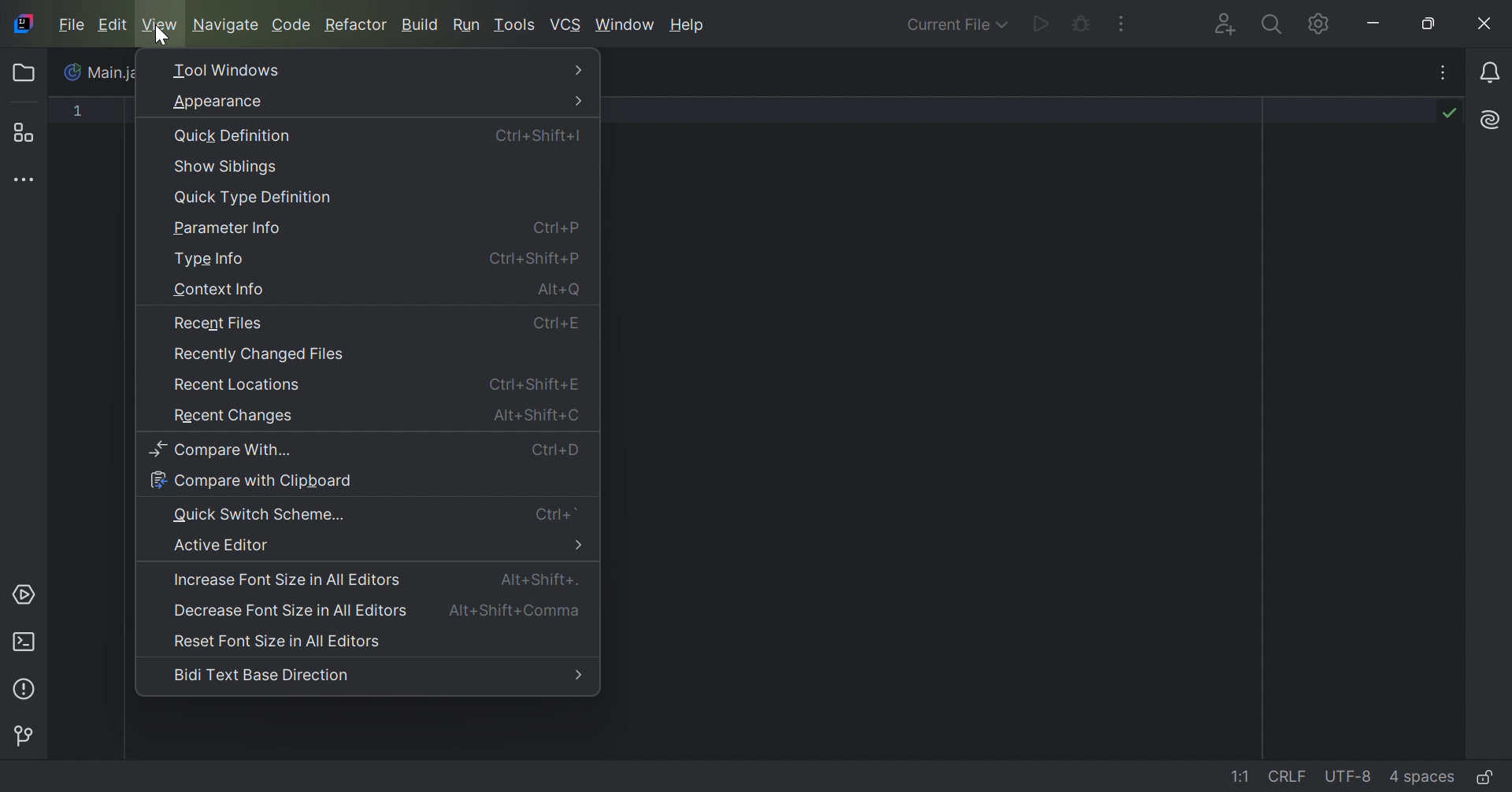  What do you see at coordinates (260, 355) in the screenshot?
I see `Recently Changed Files` at bounding box center [260, 355].